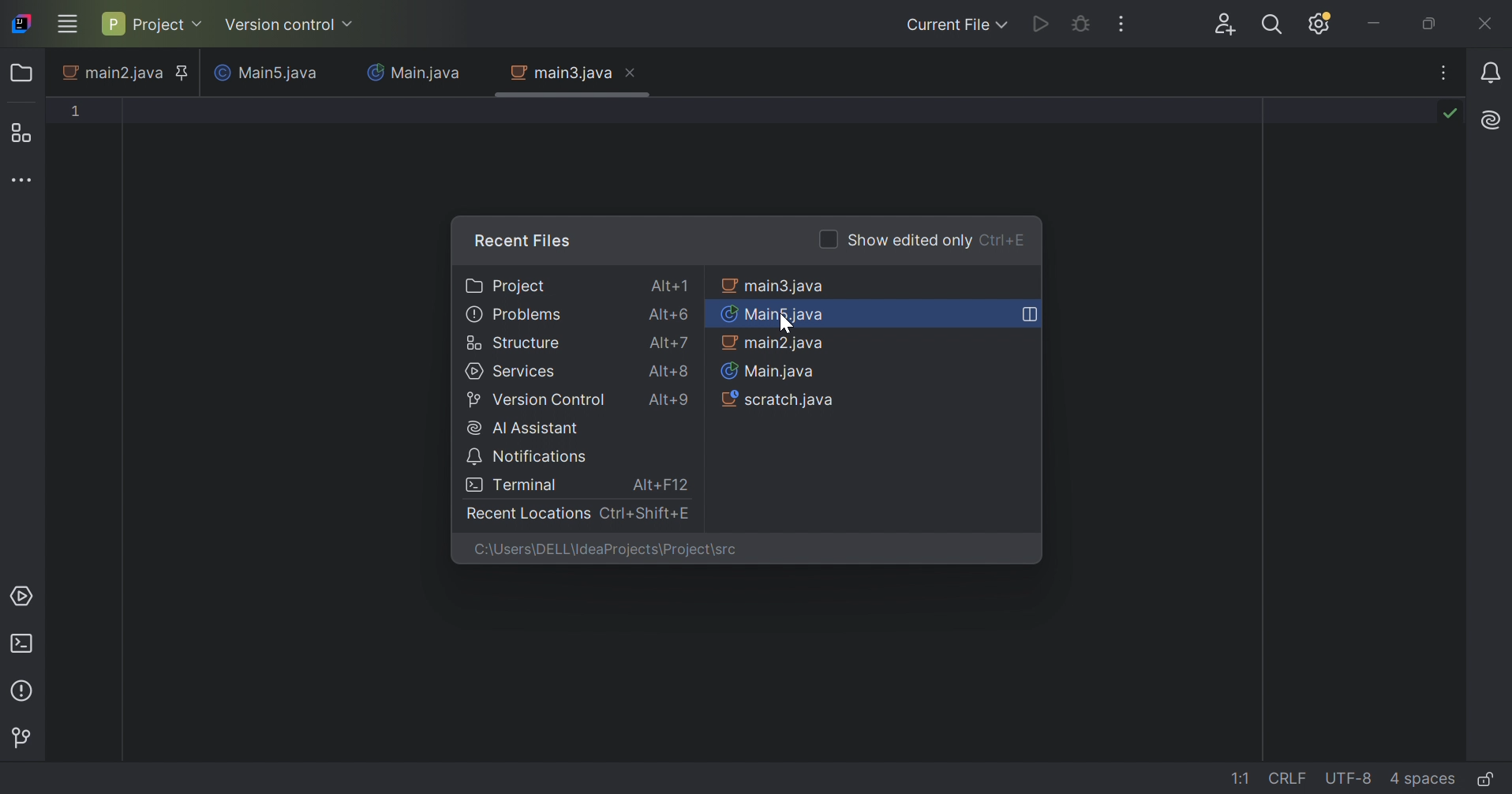 The width and height of the screenshot is (1512, 794). I want to click on Problems, so click(515, 316).